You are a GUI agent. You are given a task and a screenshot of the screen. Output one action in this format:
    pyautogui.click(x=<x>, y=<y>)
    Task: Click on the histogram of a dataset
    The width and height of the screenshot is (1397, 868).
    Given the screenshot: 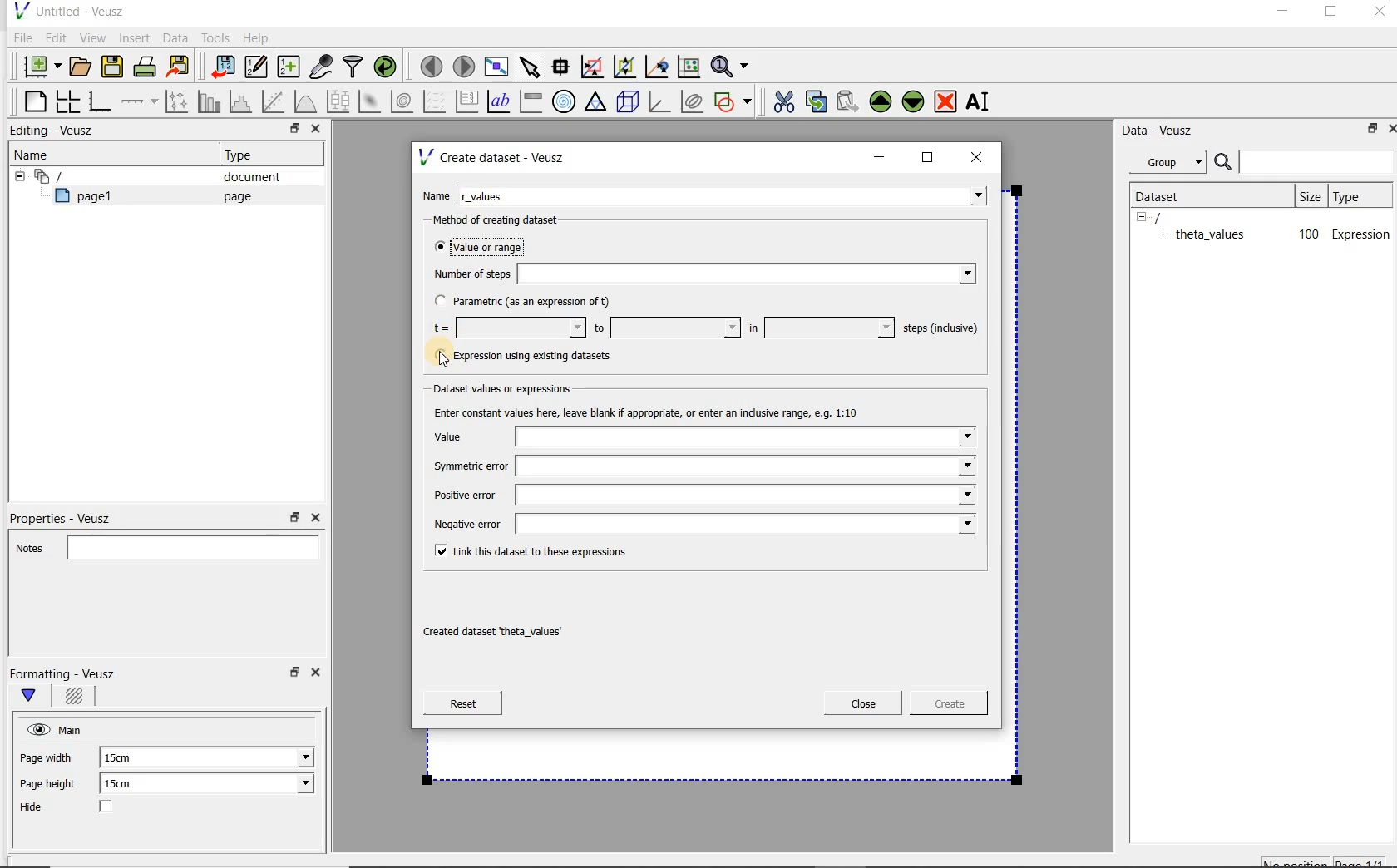 What is the action you would take?
    pyautogui.click(x=243, y=101)
    